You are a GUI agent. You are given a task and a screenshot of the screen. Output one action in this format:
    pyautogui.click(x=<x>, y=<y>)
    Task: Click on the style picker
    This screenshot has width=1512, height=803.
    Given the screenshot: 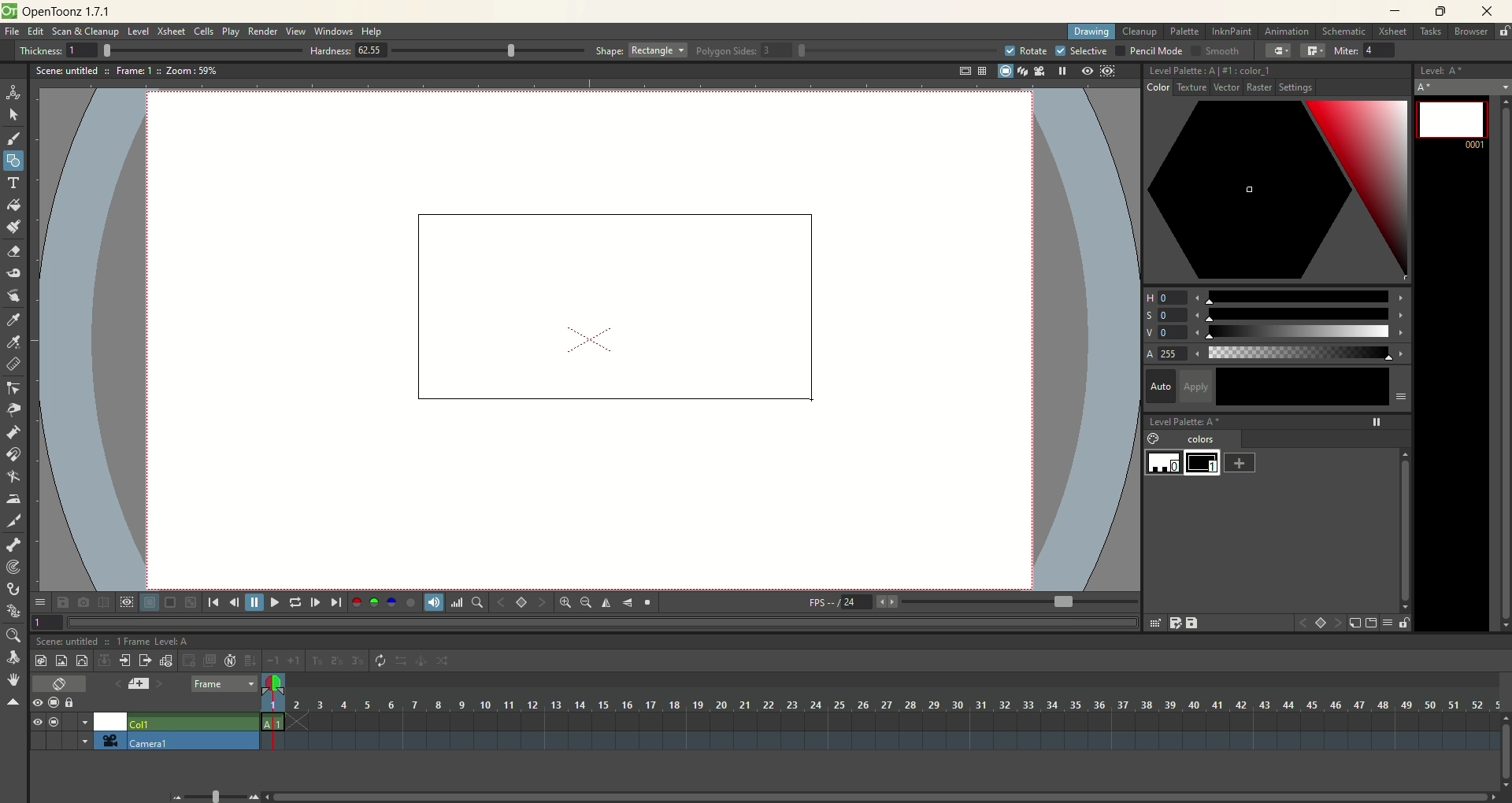 What is the action you would take?
    pyautogui.click(x=17, y=320)
    